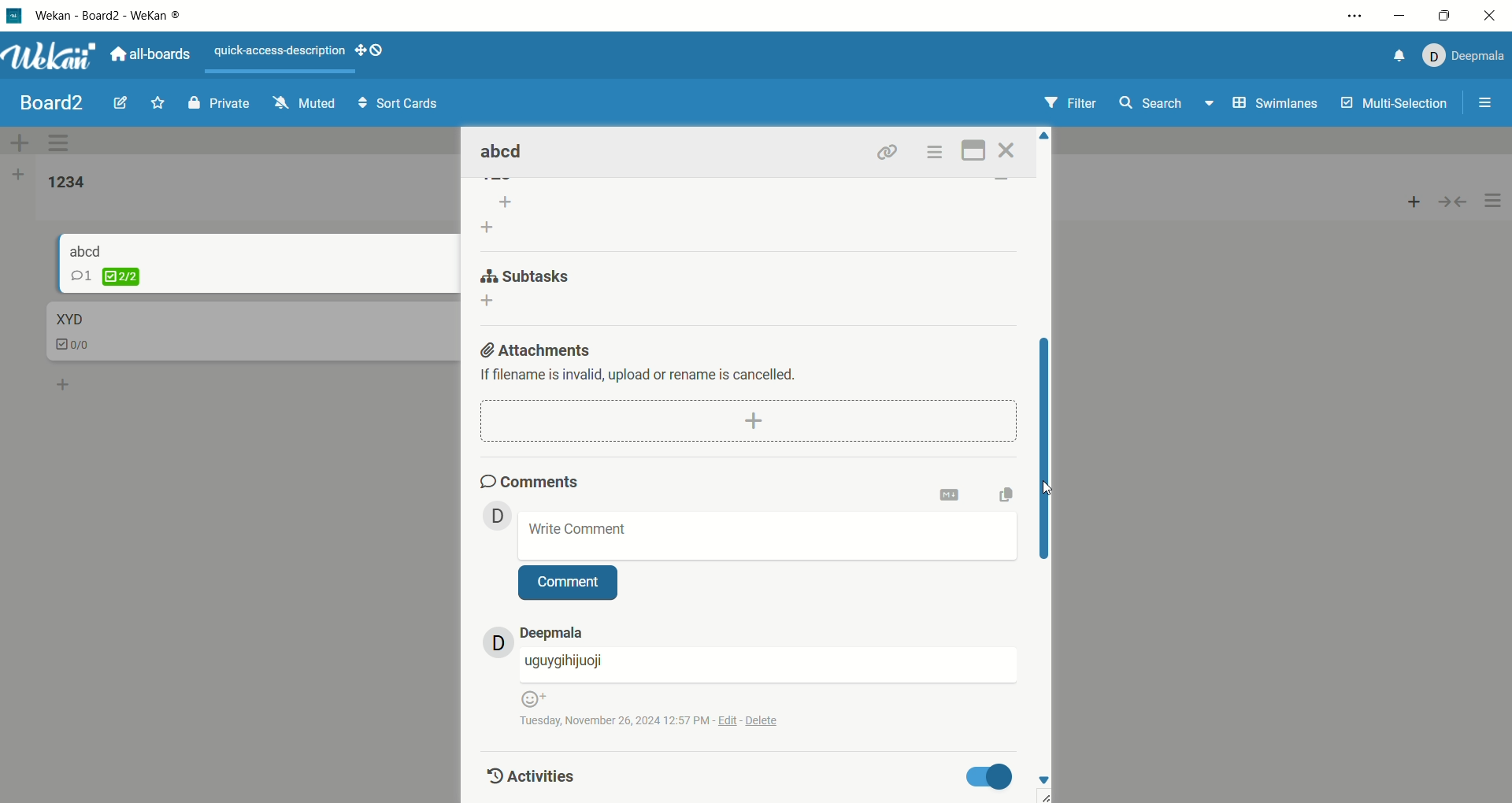  Describe the element at coordinates (1444, 17) in the screenshot. I see `maximize` at that location.